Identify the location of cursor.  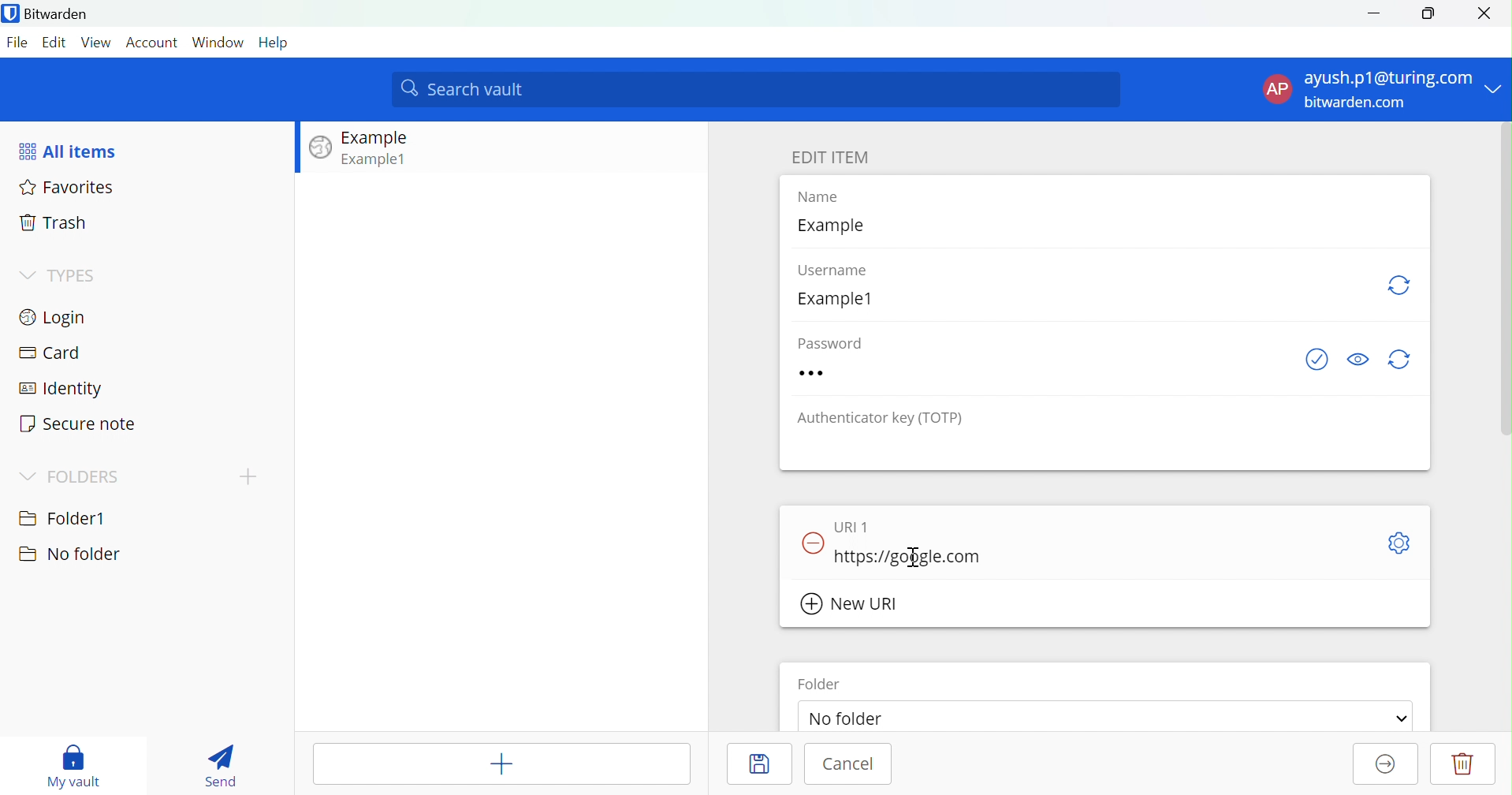
(927, 552).